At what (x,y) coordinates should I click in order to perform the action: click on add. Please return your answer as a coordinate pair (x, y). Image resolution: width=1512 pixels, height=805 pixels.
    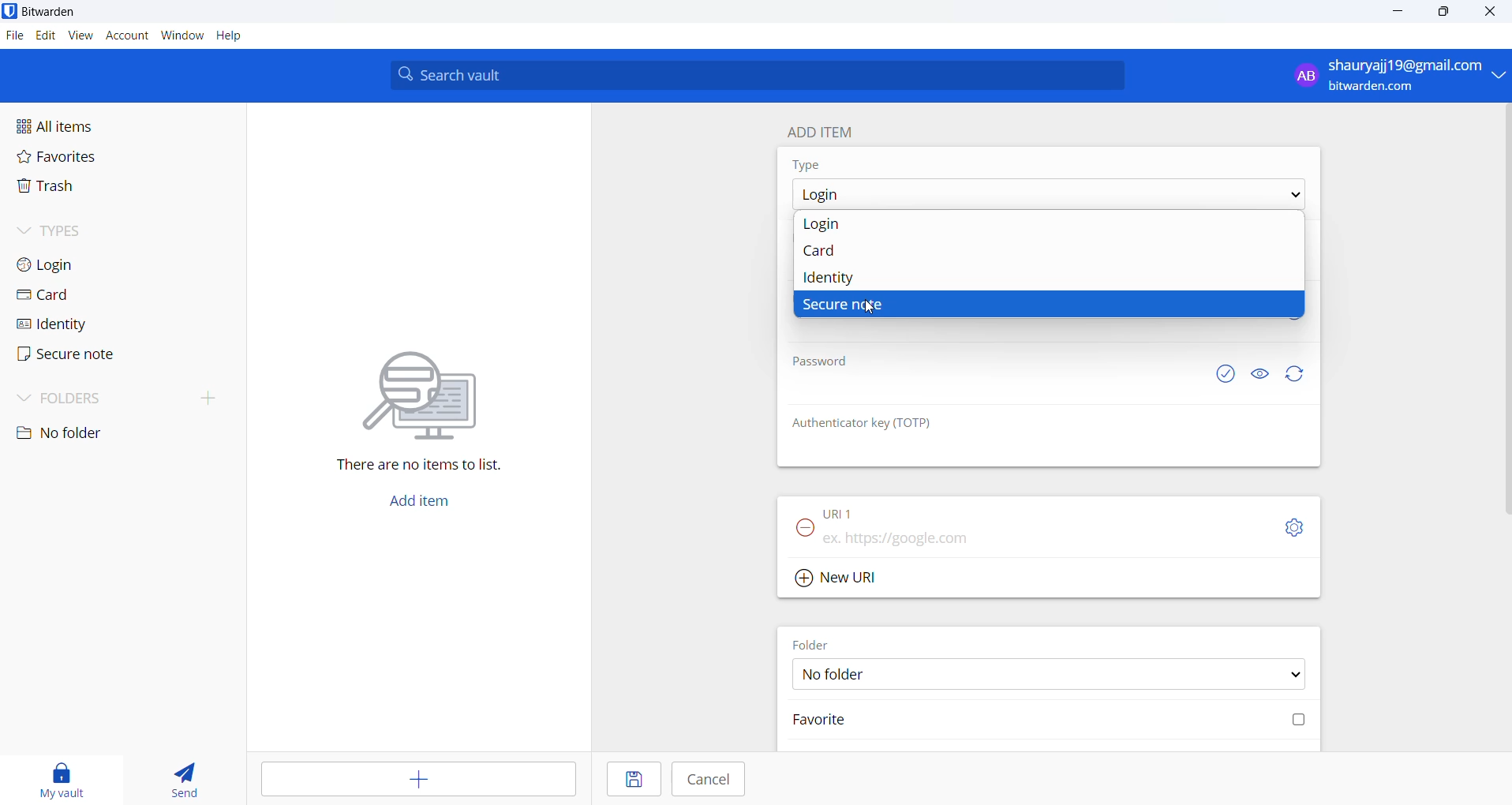
    Looking at the image, I should click on (412, 779).